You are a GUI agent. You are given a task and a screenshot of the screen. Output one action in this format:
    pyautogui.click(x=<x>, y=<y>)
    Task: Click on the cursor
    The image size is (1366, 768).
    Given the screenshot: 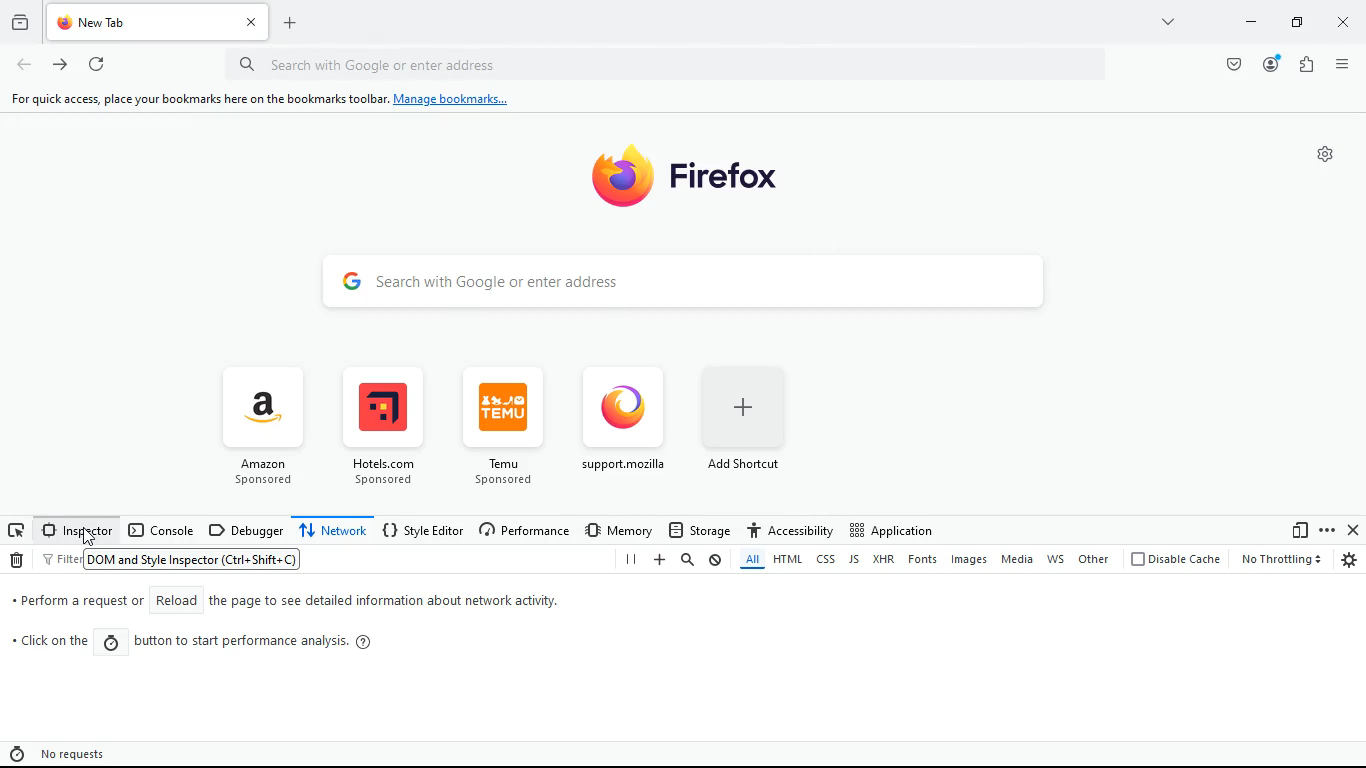 What is the action you would take?
    pyautogui.click(x=85, y=536)
    